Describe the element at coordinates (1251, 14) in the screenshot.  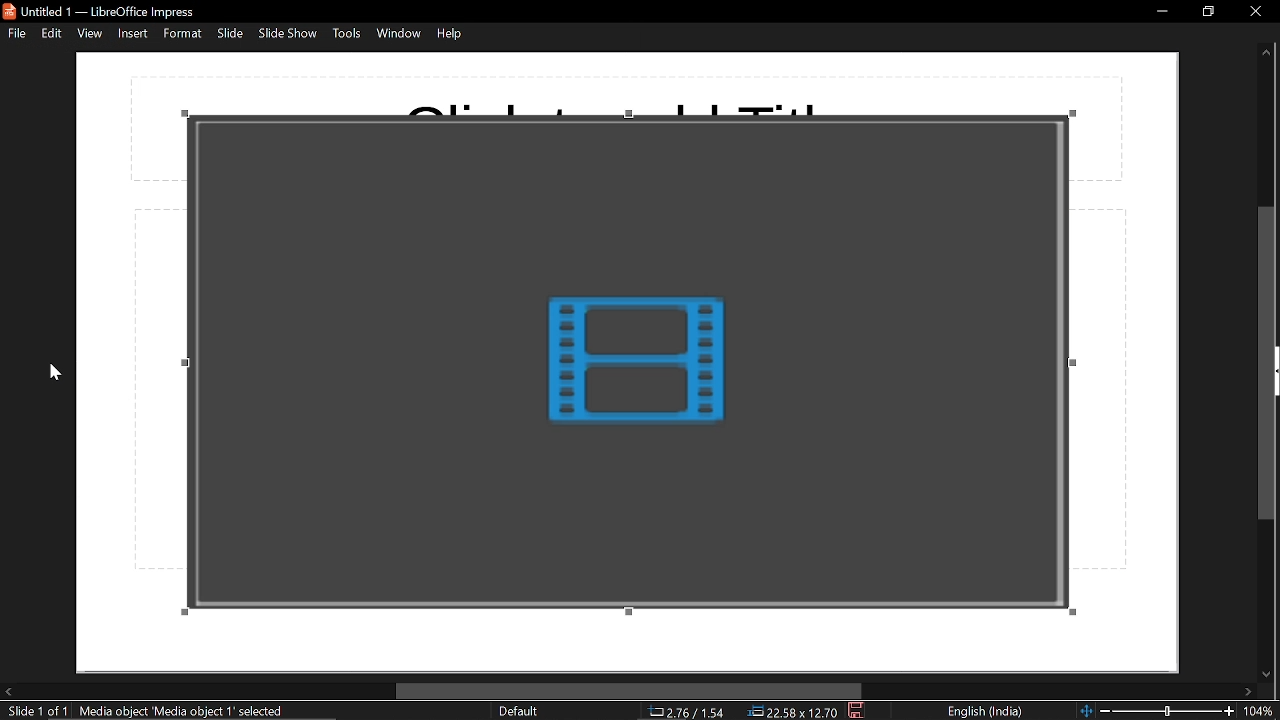
I see `close` at that location.